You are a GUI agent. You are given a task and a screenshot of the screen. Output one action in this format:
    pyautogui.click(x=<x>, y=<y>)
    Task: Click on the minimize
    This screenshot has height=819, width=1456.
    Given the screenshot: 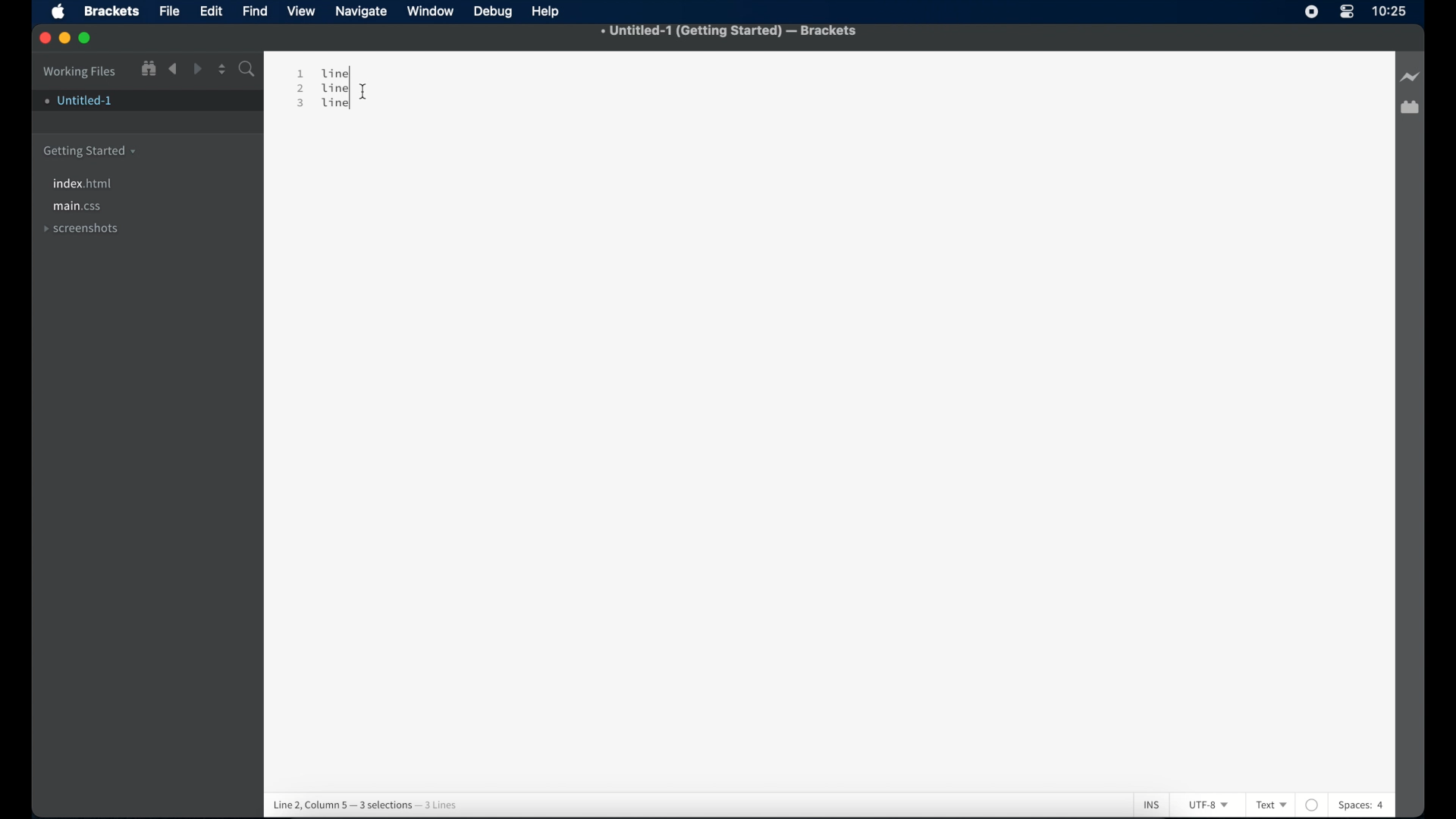 What is the action you would take?
    pyautogui.click(x=66, y=39)
    